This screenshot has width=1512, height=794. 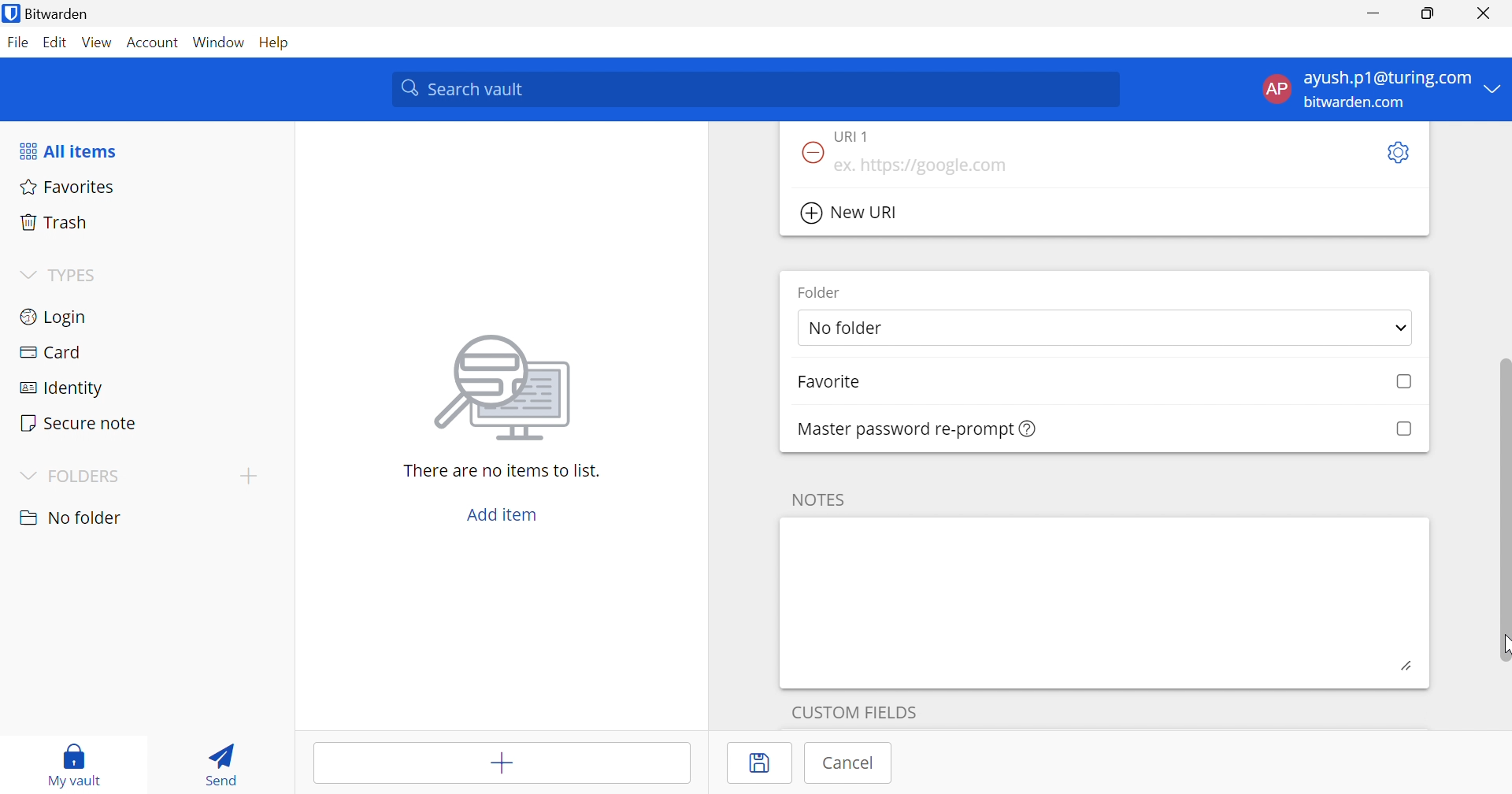 I want to click on Login, so click(x=55, y=315).